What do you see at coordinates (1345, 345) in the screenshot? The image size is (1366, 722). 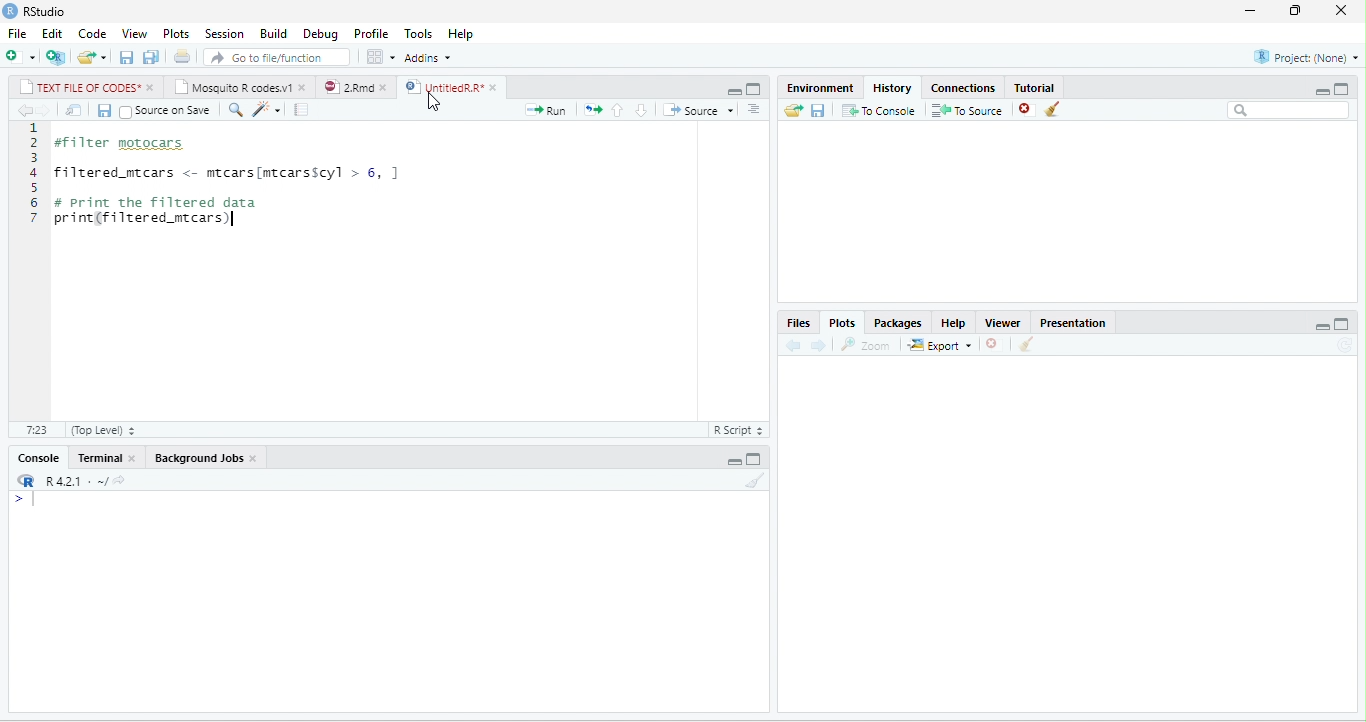 I see `refresh` at bounding box center [1345, 345].